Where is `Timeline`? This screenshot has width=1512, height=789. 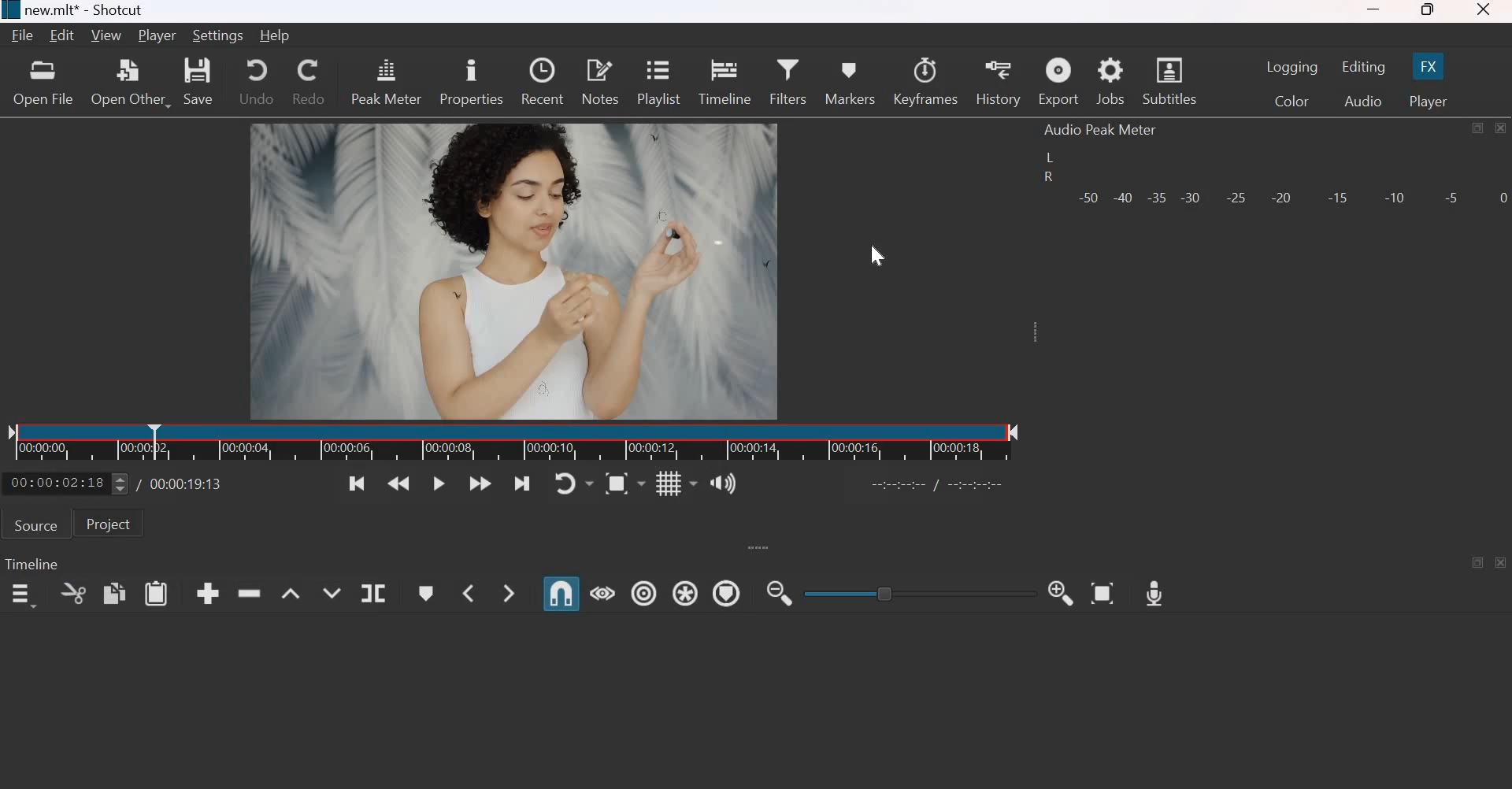 Timeline is located at coordinates (513, 443).